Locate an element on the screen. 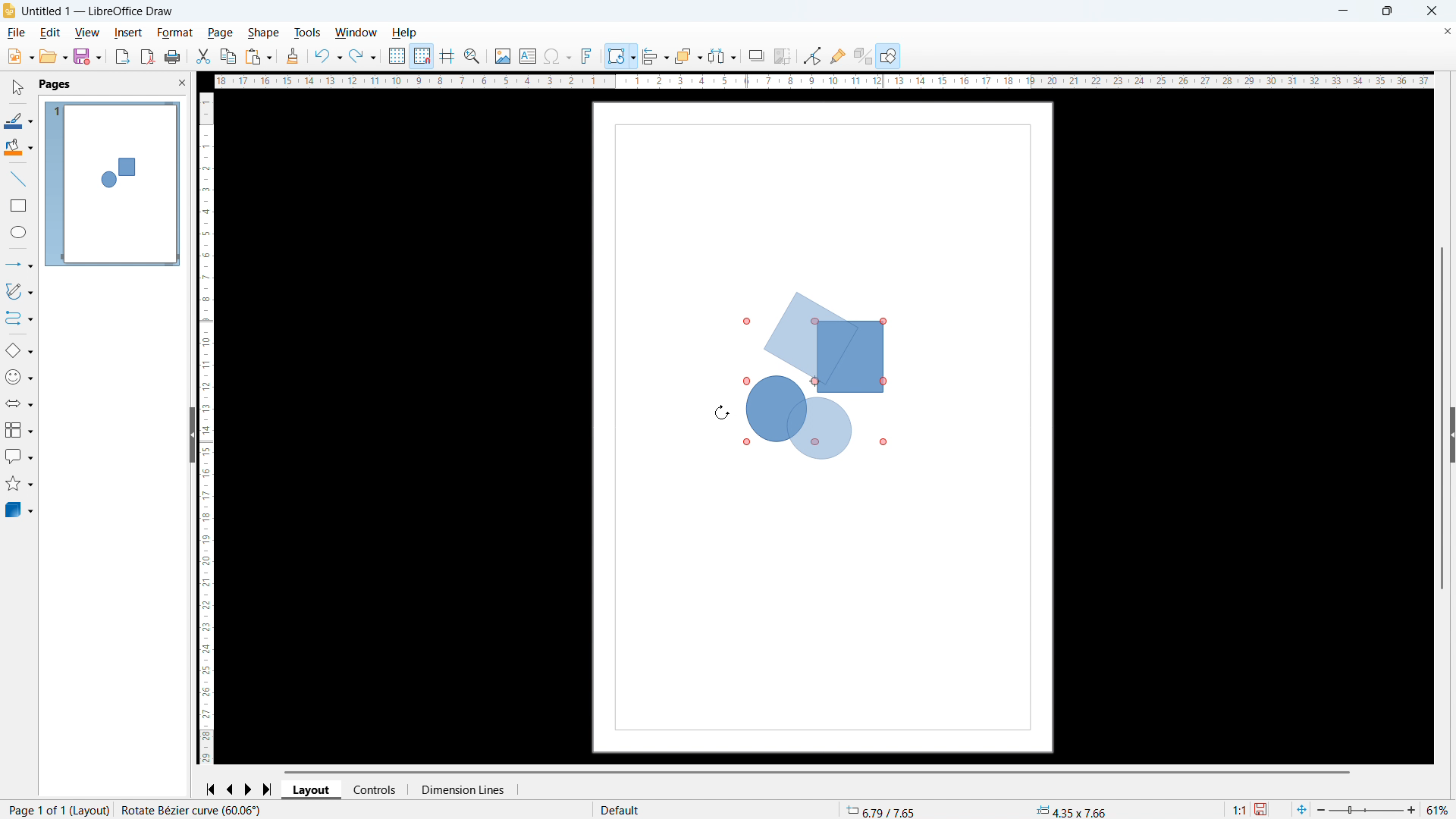  Close  is located at coordinates (1432, 11).